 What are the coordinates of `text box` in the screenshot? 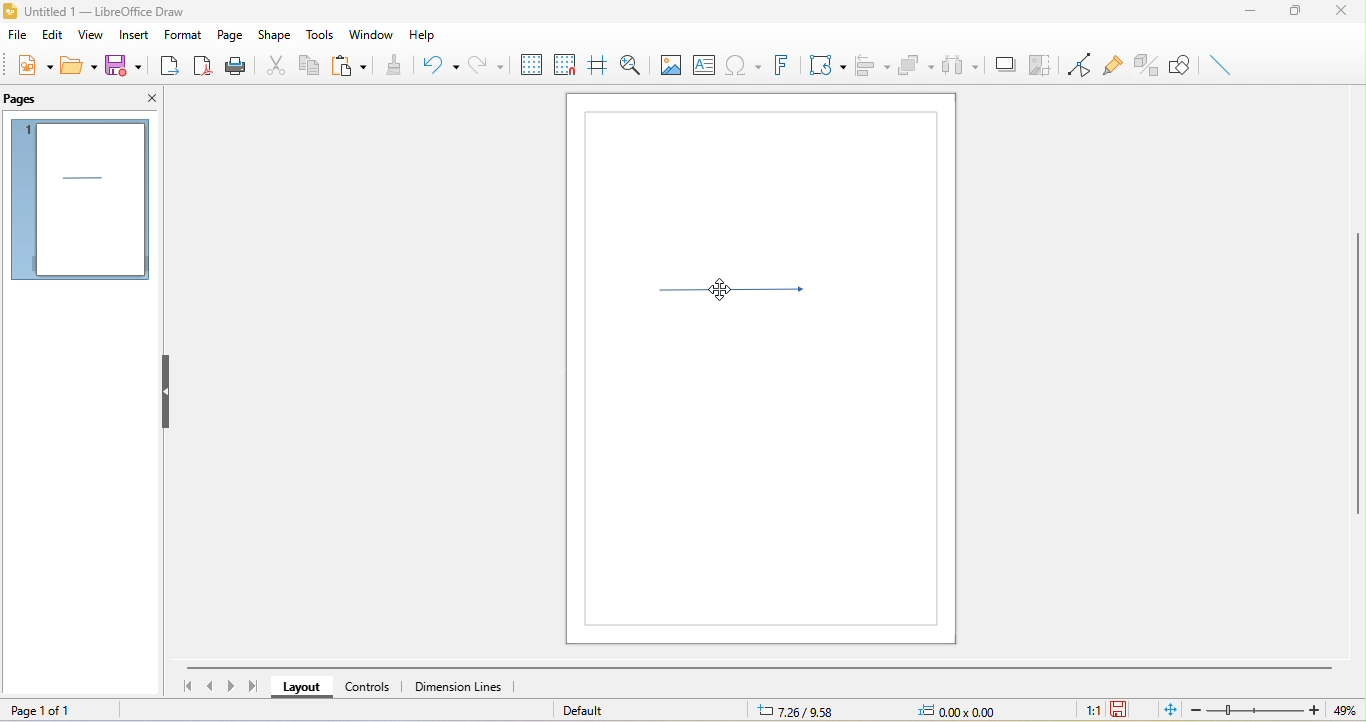 It's located at (704, 64).